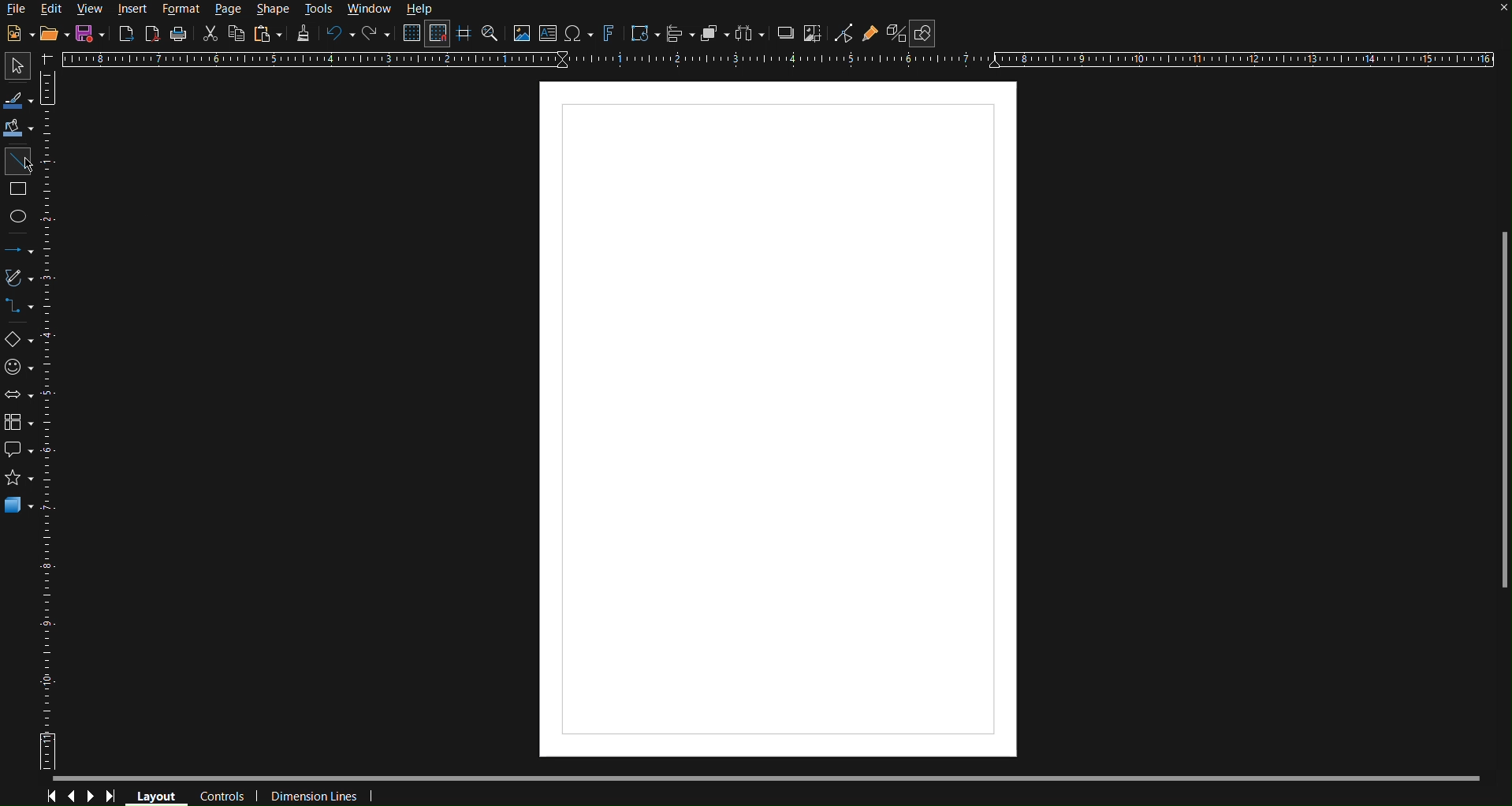 The width and height of the screenshot is (1512, 806). I want to click on Basic Shapes, so click(20, 339).